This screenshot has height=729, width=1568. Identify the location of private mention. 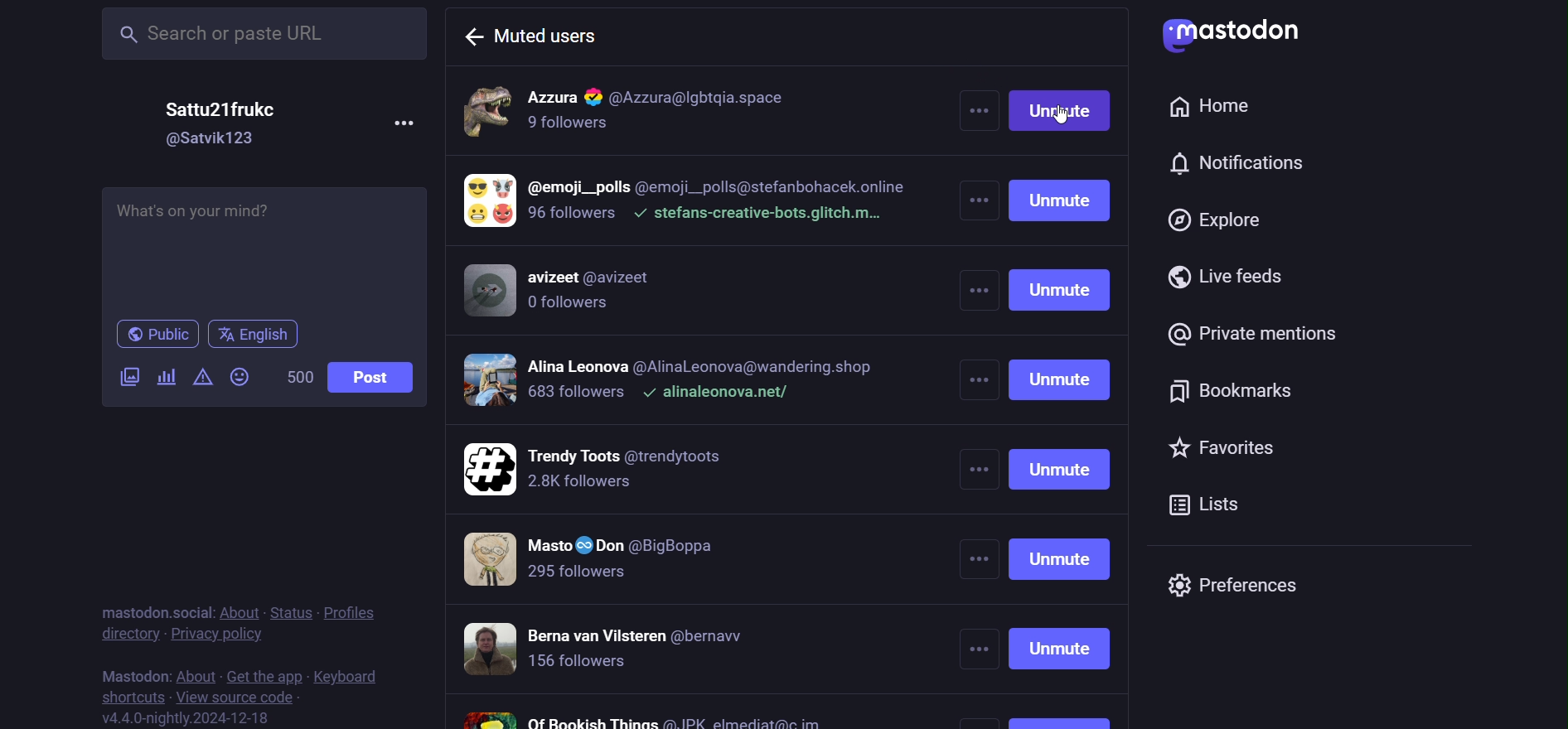
(1263, 333).